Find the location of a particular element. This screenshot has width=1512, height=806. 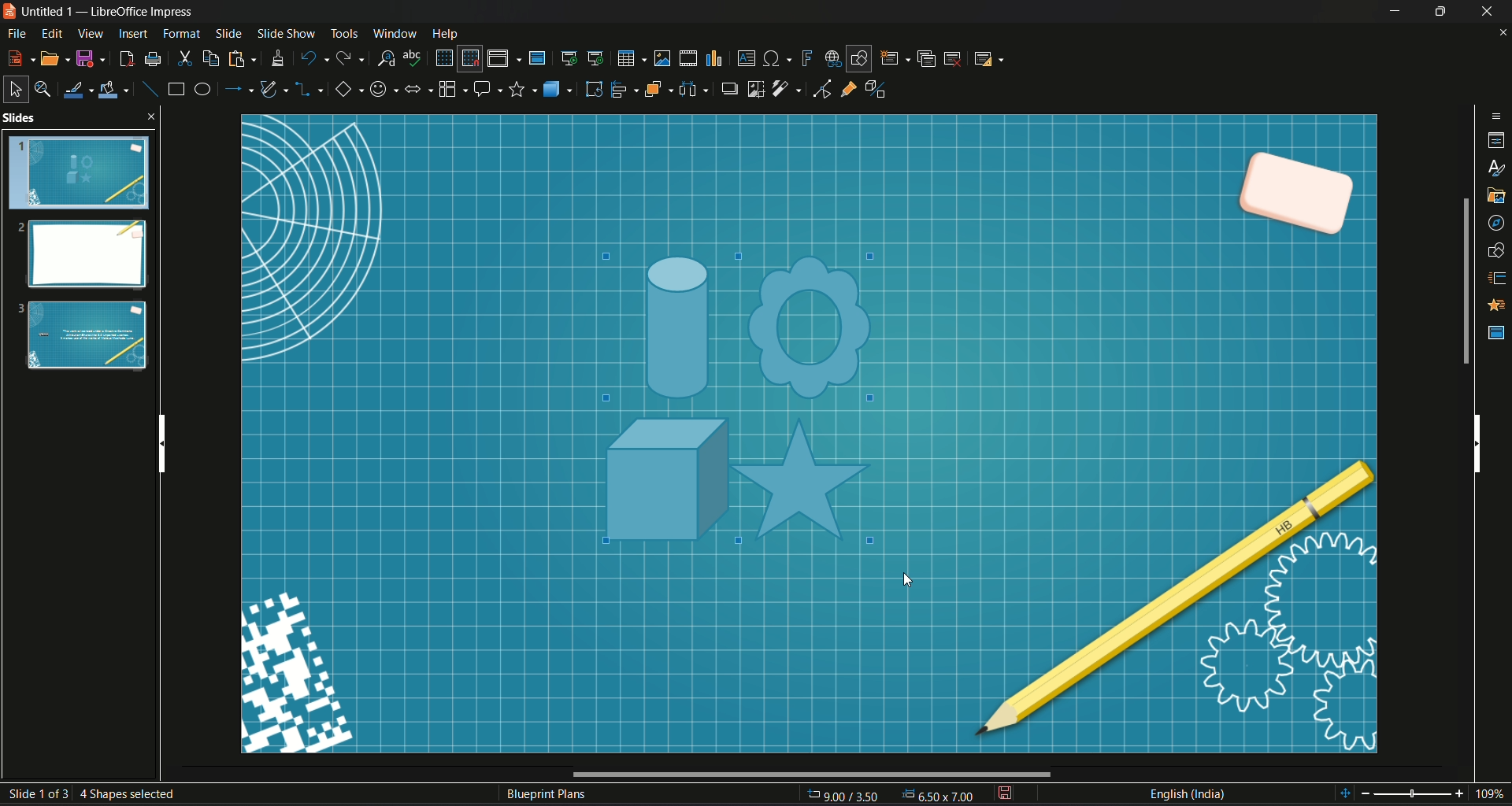

Edit is located at coordinates (53, 34).